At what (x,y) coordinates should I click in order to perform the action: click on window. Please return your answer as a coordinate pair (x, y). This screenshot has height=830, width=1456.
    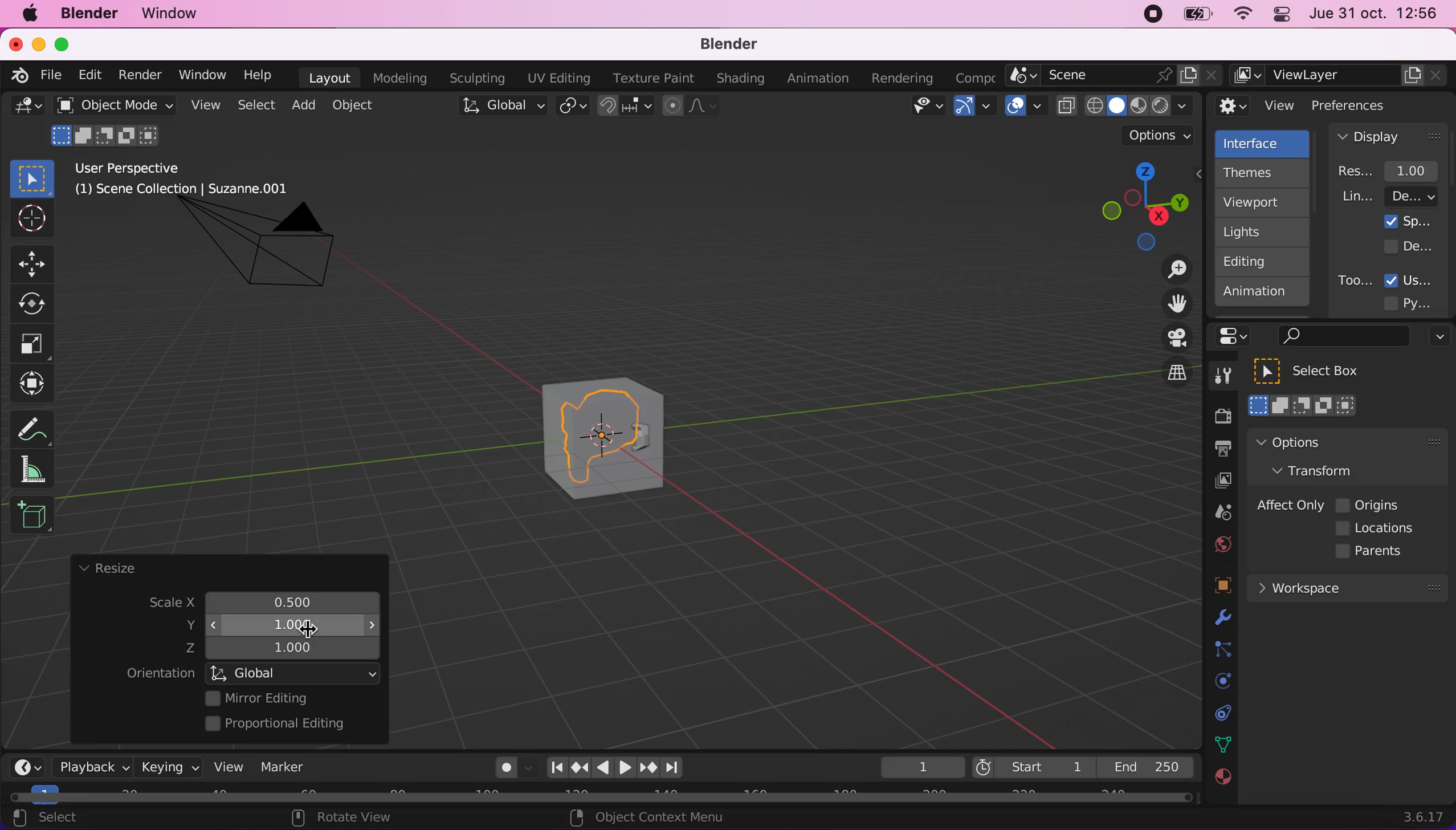
    Looking at the image, I should click on (175, 14).